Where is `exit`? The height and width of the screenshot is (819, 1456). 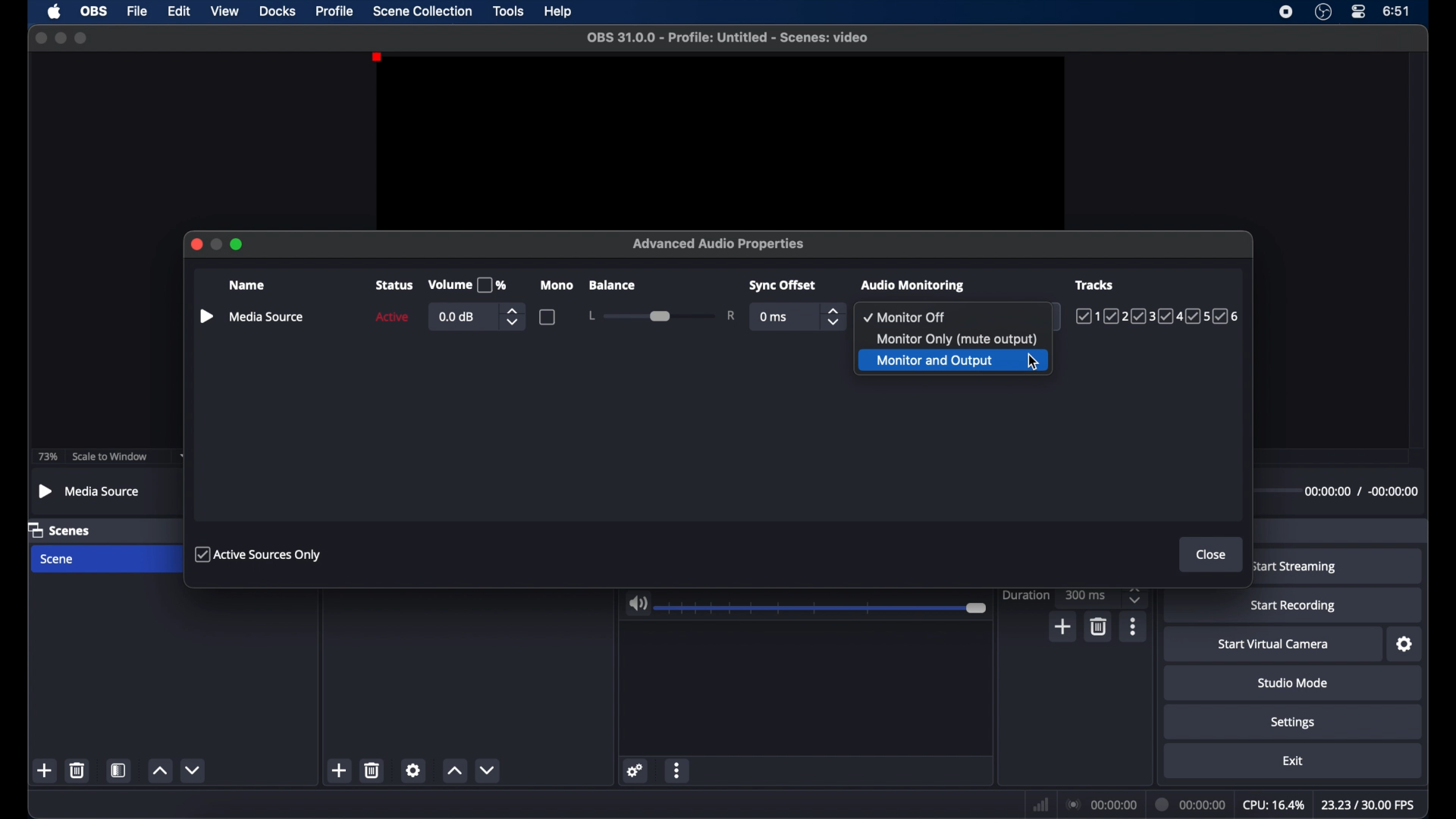
exit is located at coordinates (1293, 761).